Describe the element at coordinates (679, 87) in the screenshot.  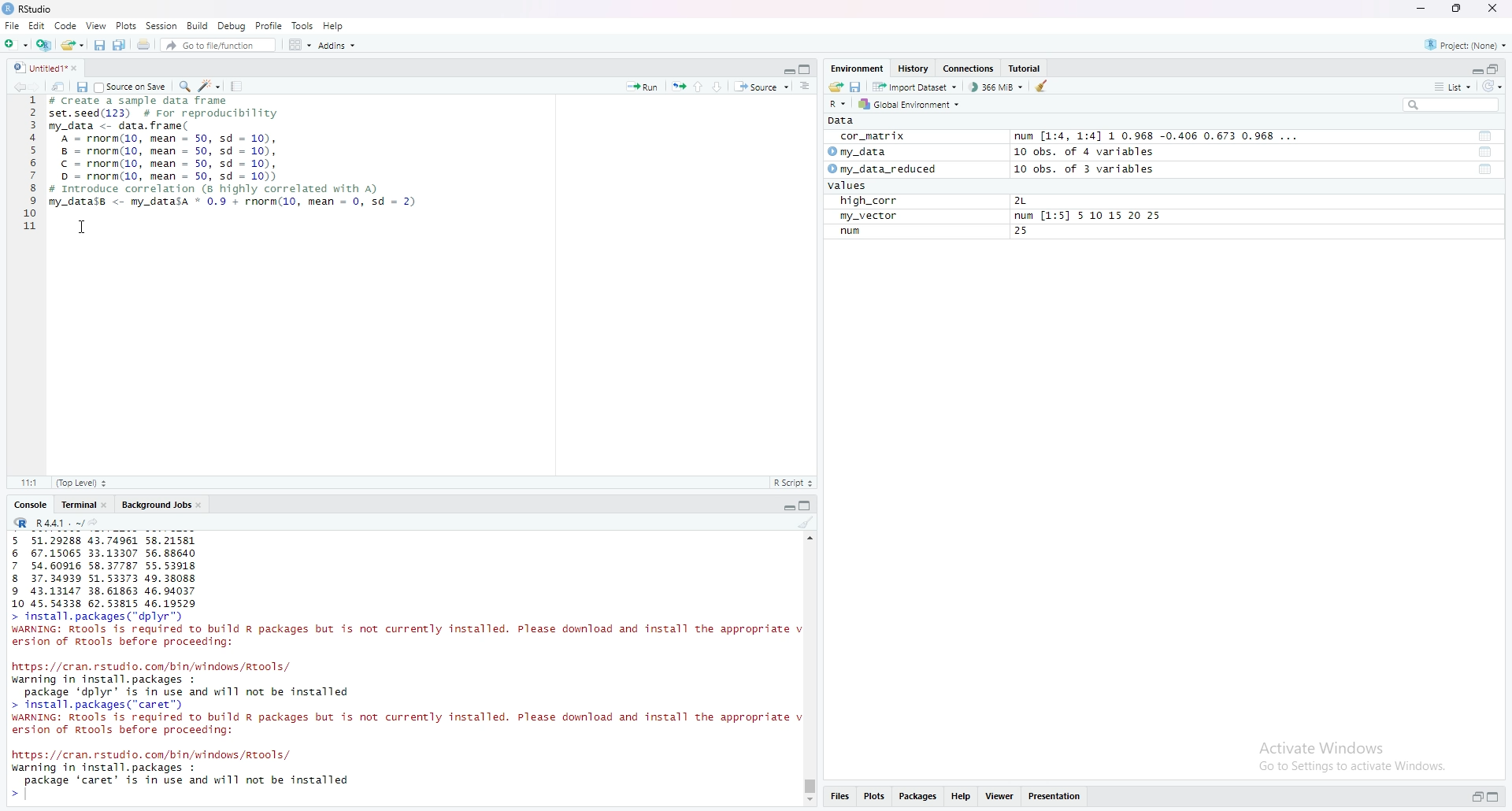
I see `run` at that location.